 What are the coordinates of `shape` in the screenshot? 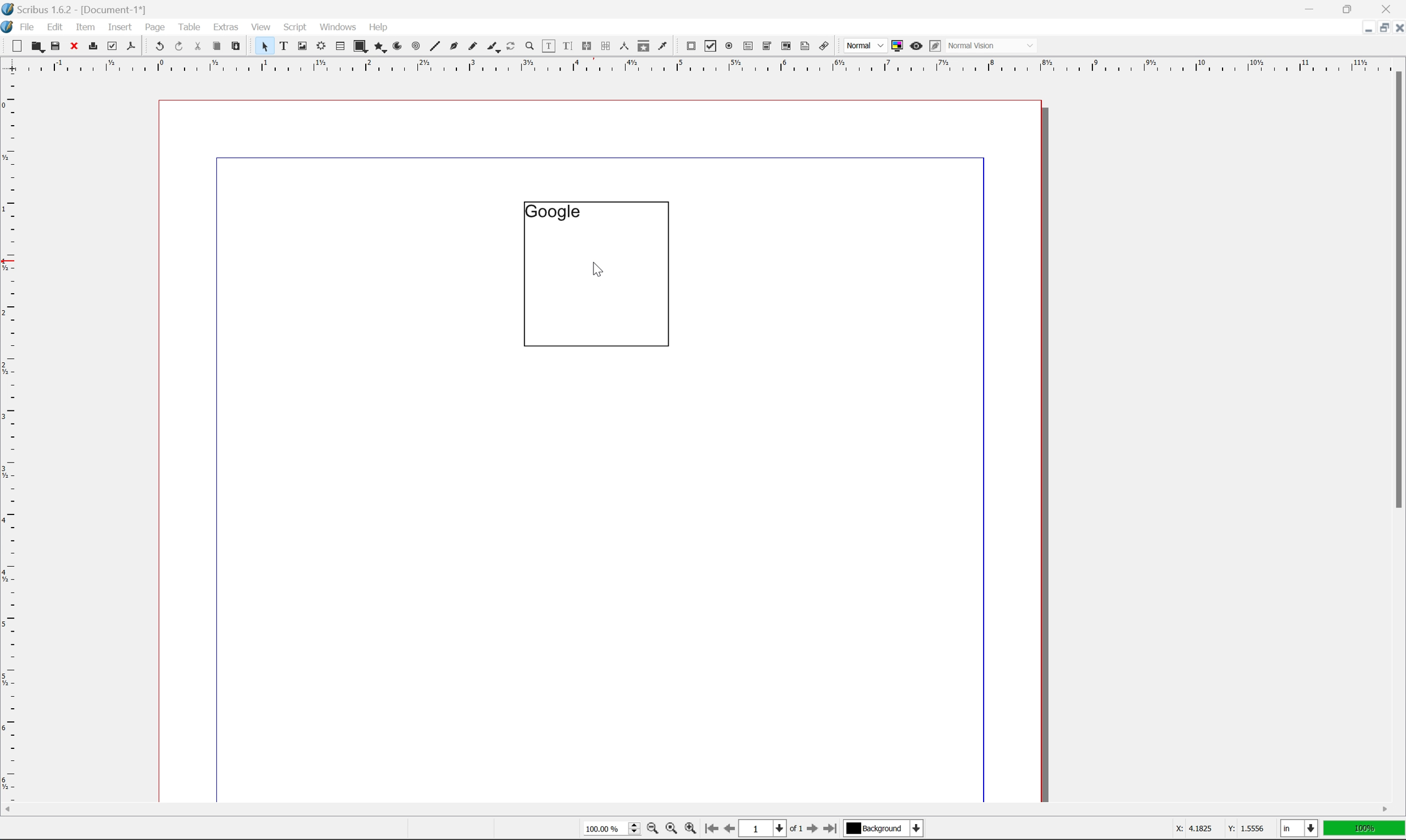 It's located at (361, 47).